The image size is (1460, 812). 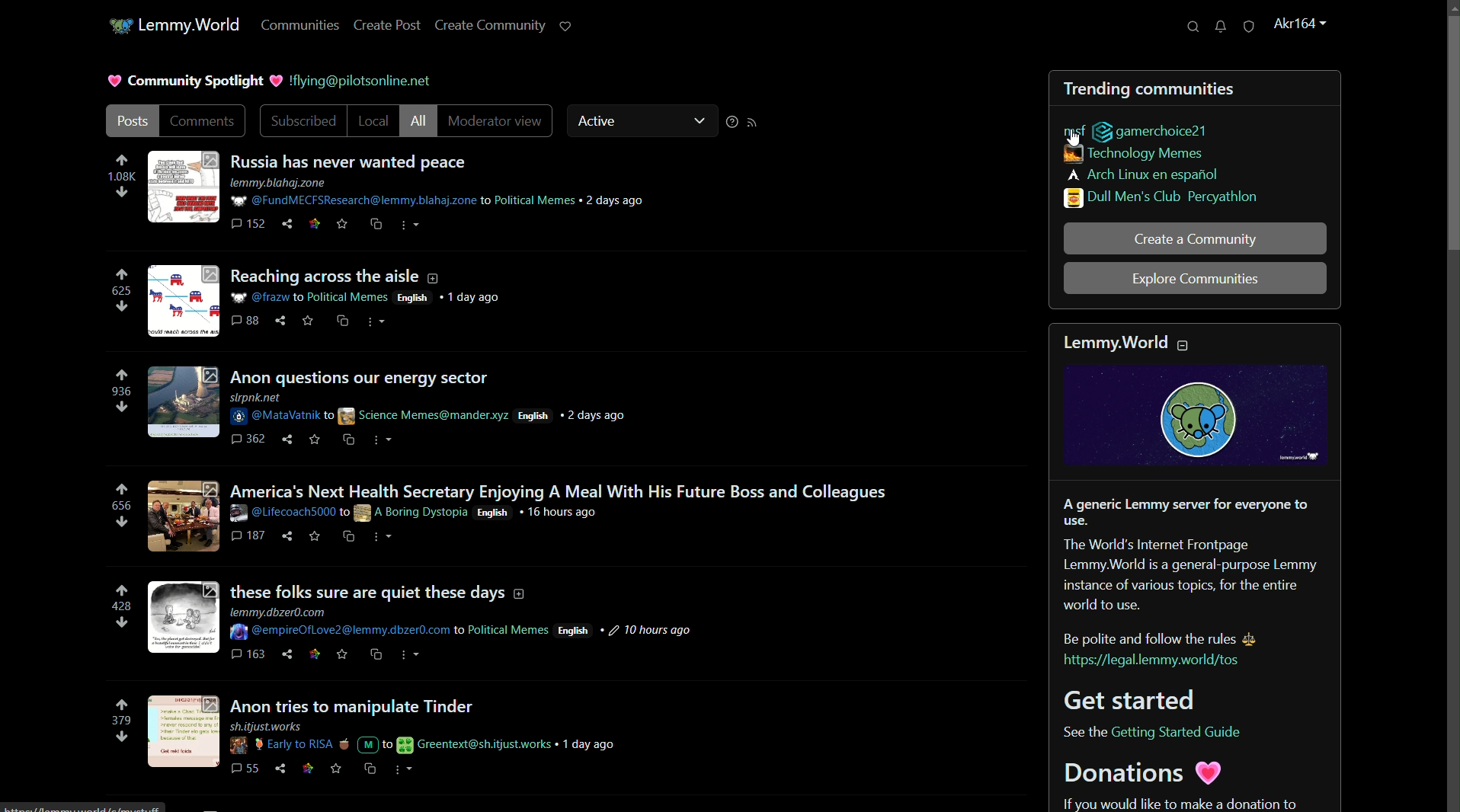 What do you see at coordinates (1170, 801) in the screenshot?
I see `text` at bounding box center [1170, 801].